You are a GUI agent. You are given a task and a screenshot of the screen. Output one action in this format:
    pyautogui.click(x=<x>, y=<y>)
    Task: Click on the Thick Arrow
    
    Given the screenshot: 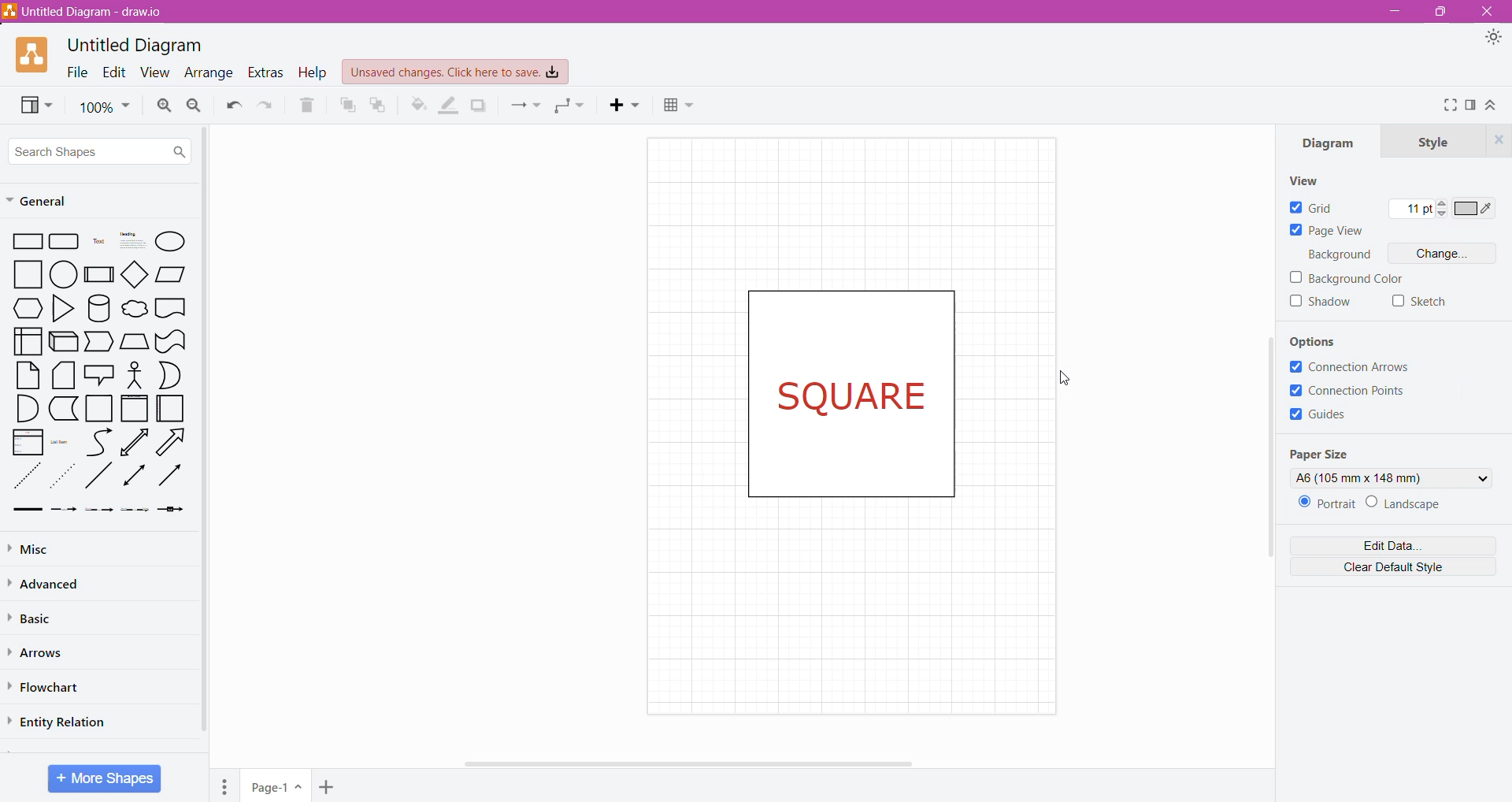 What is the action you would take?
    pyautogui.click(x=23, y=510)
    